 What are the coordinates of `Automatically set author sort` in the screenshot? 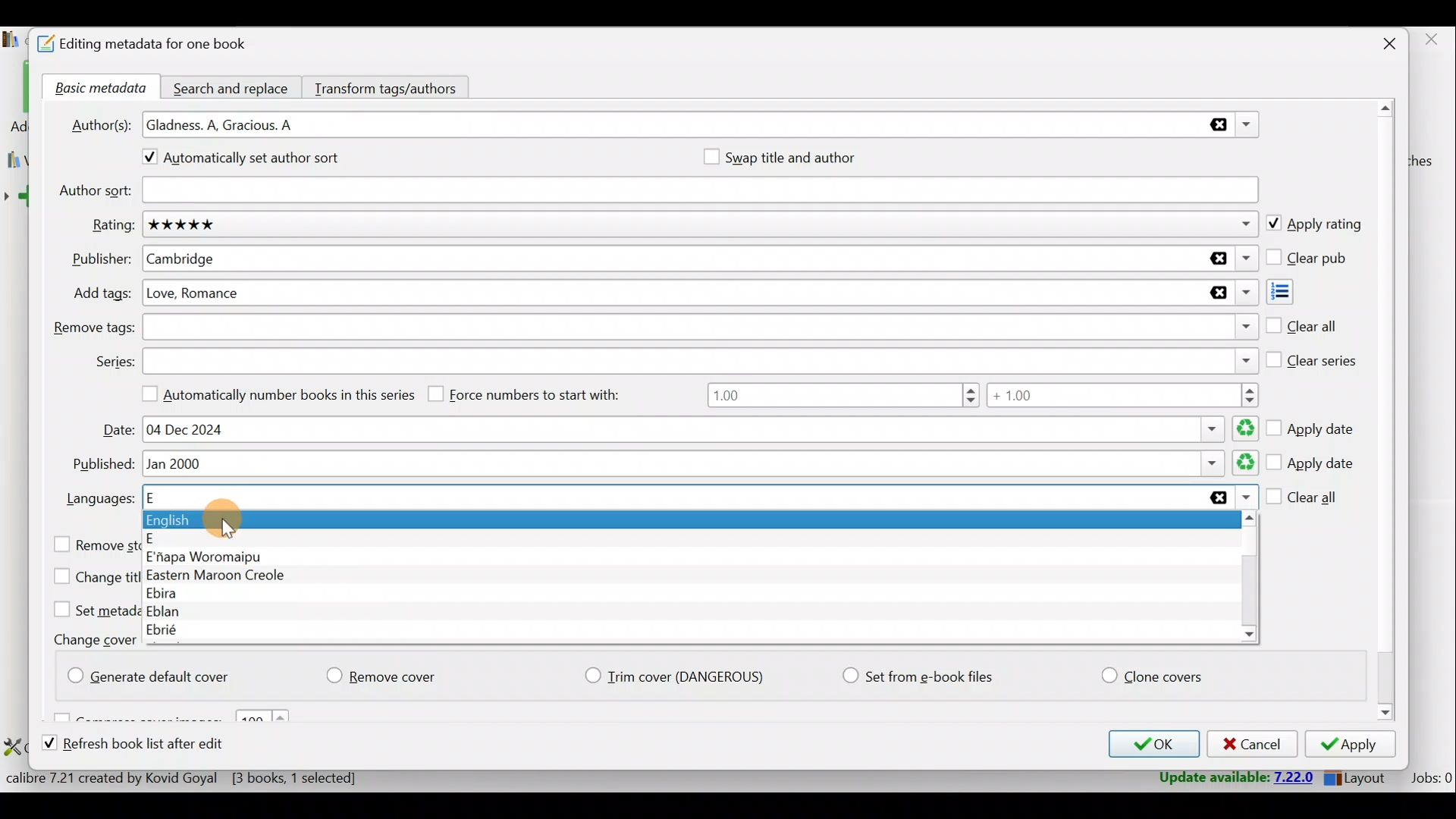 It's located at (253, 160).